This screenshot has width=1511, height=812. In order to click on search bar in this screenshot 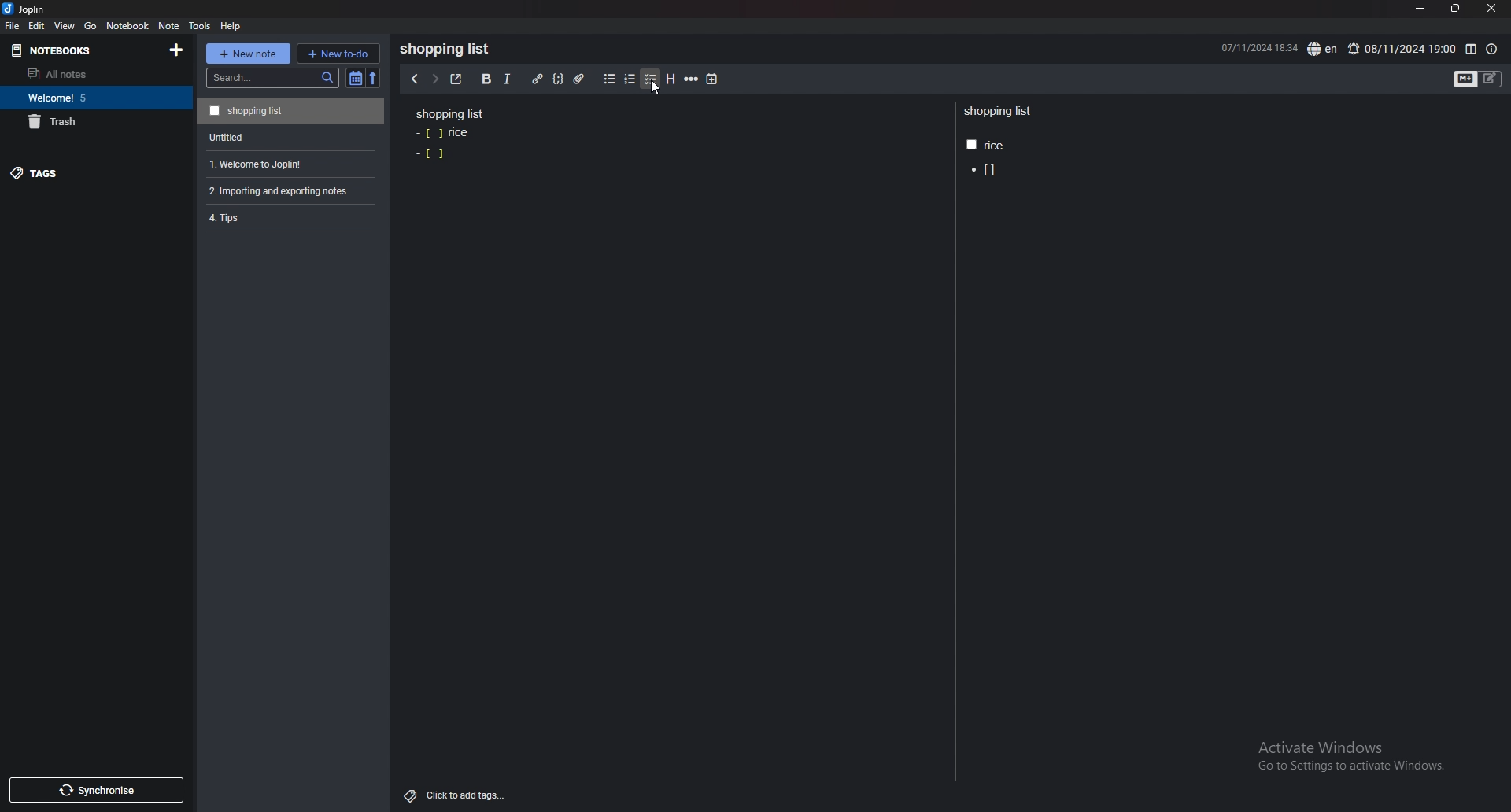, I will do `click(272, 78)`.